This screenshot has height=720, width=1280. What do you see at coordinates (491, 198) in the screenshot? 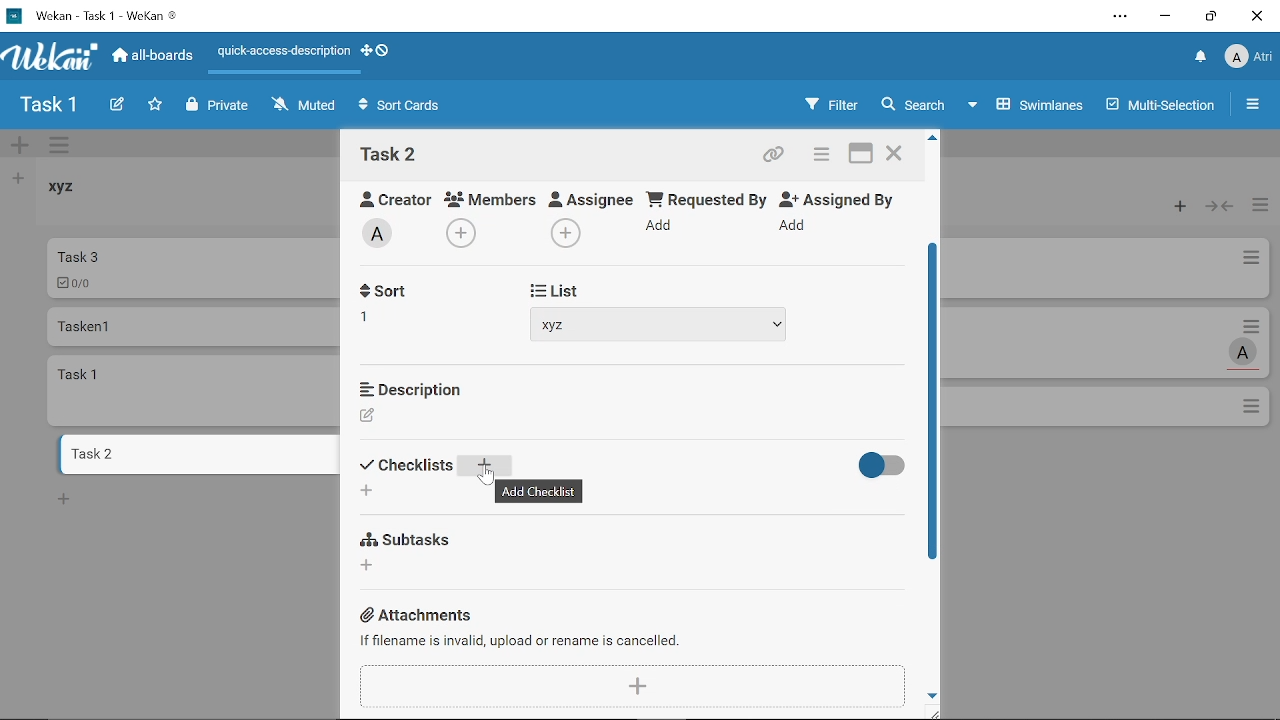
I see `Members` at bounding box center [491, 198].